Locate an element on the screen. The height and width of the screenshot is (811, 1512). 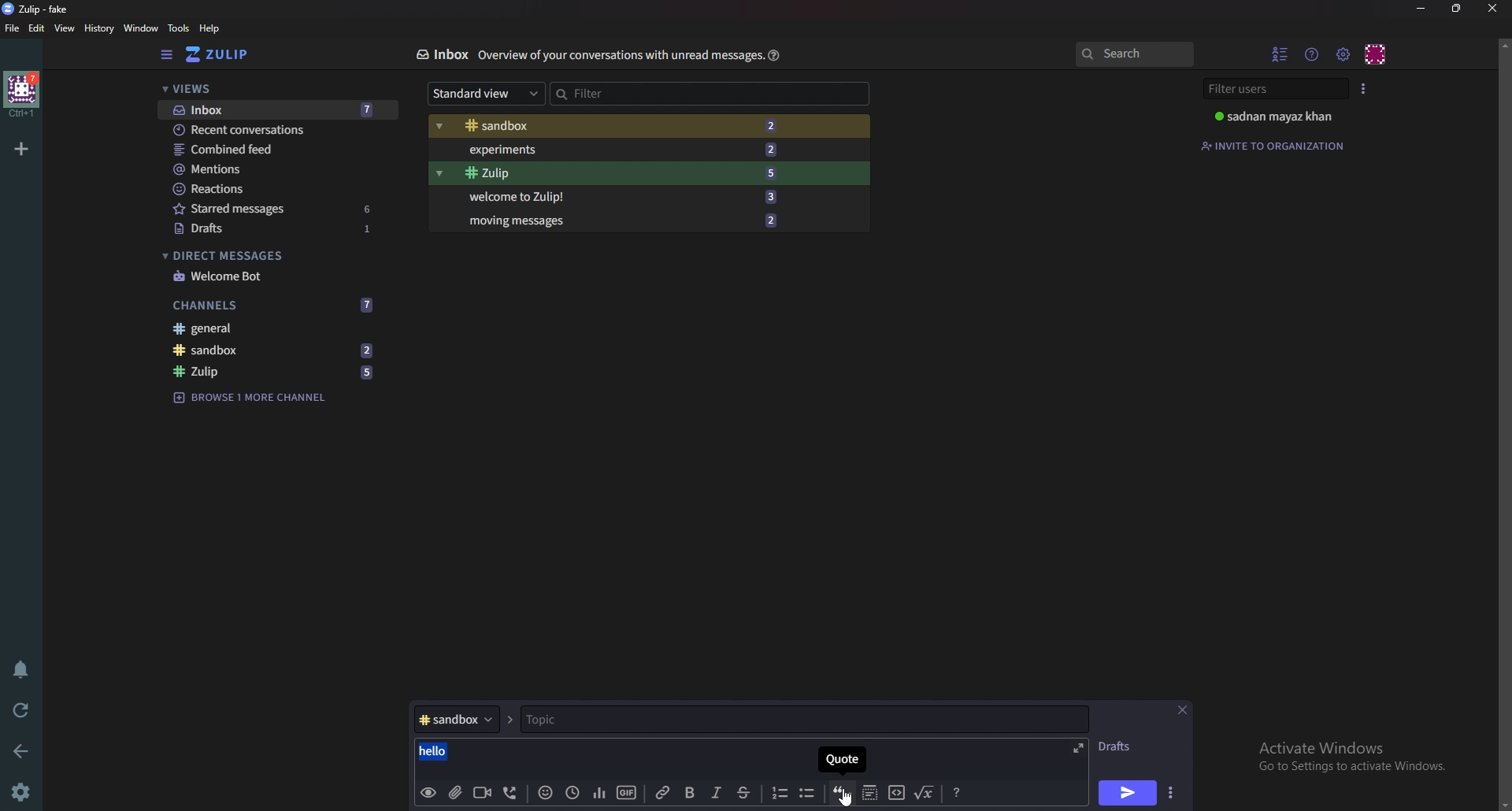
Standard view is located at coordinates (485, 94).